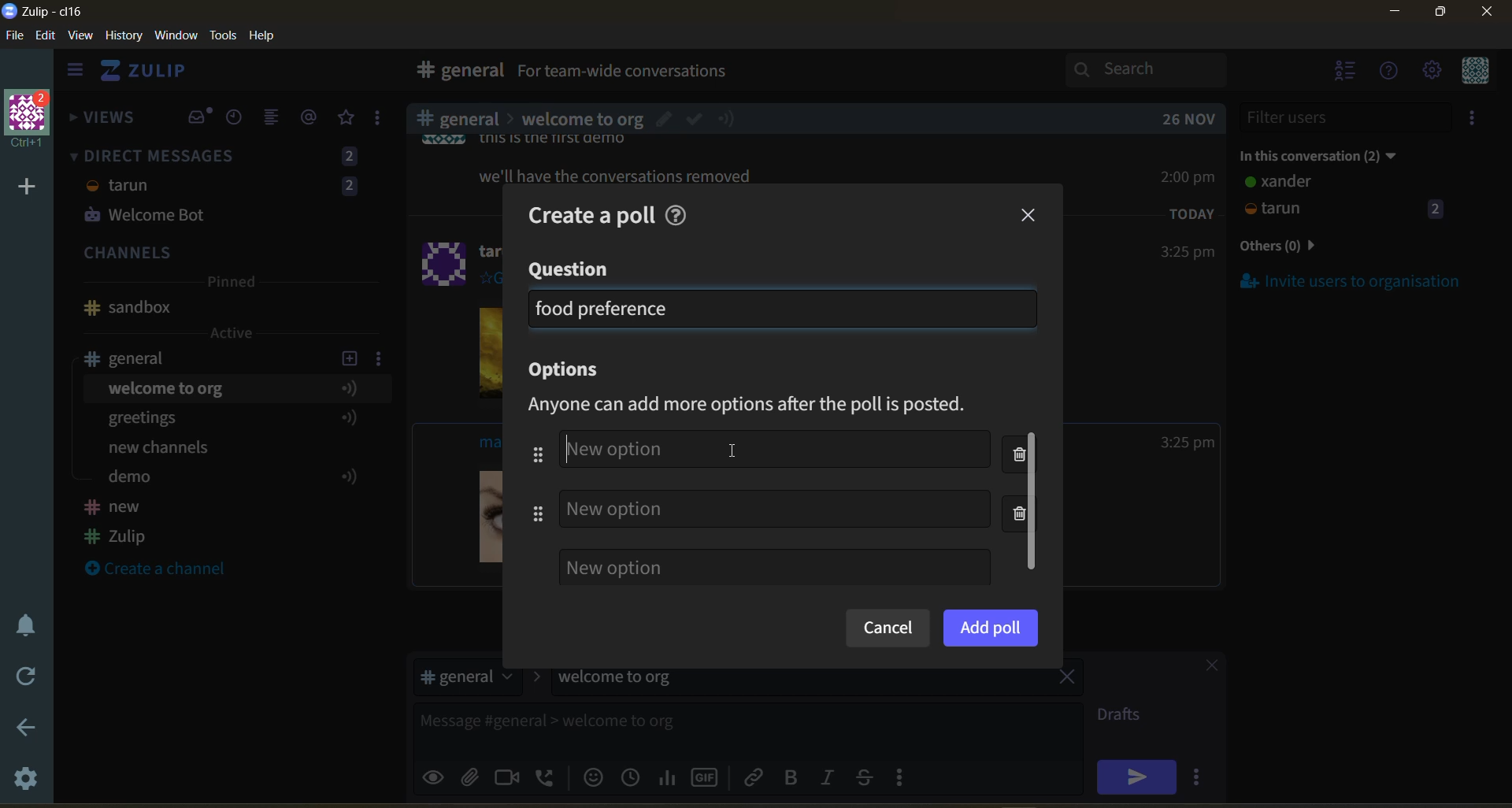  Describe the element at coordinates (228, 436) in the screenshot. I see `topics` at that location.